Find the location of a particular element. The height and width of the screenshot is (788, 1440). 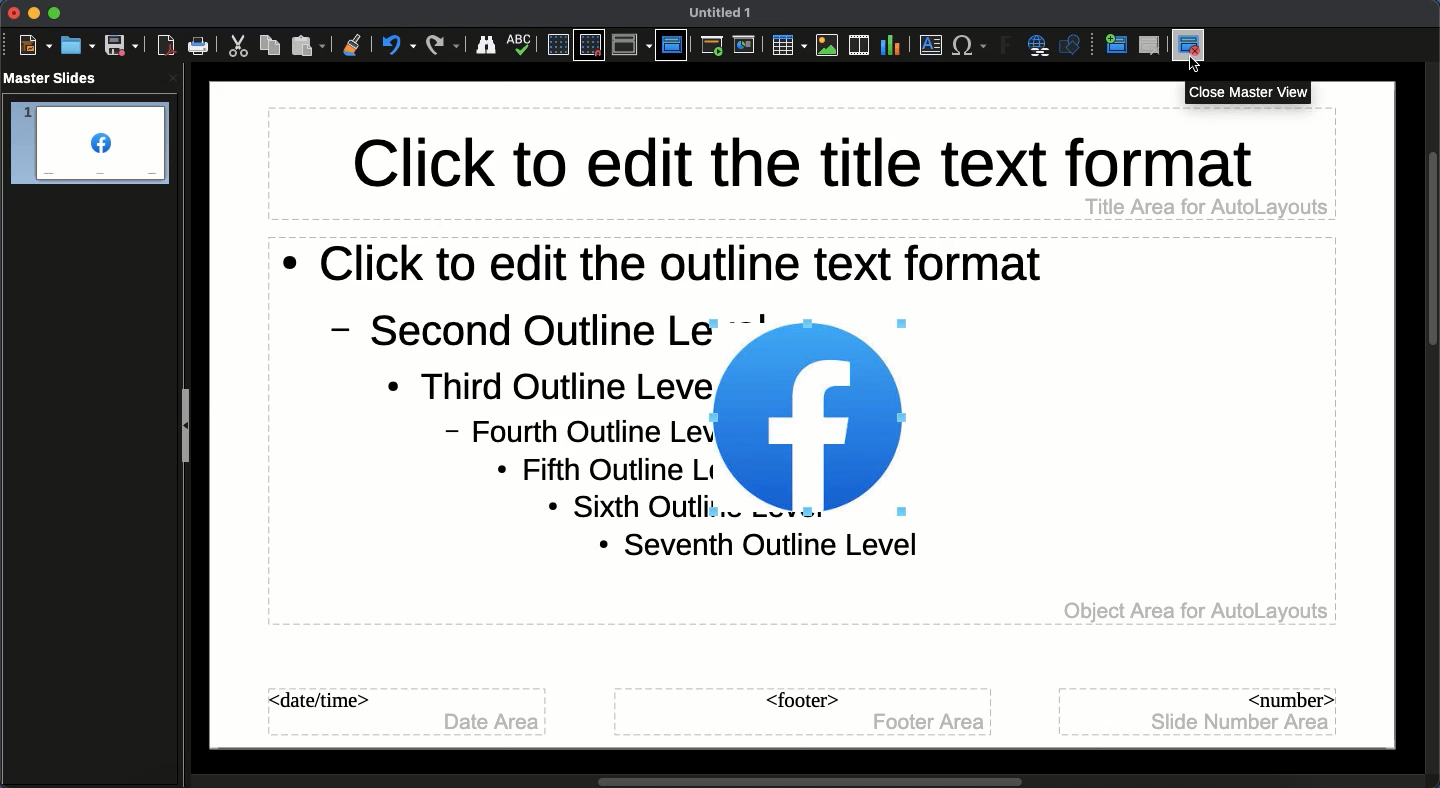

Close is located at coordinates (11, 15).